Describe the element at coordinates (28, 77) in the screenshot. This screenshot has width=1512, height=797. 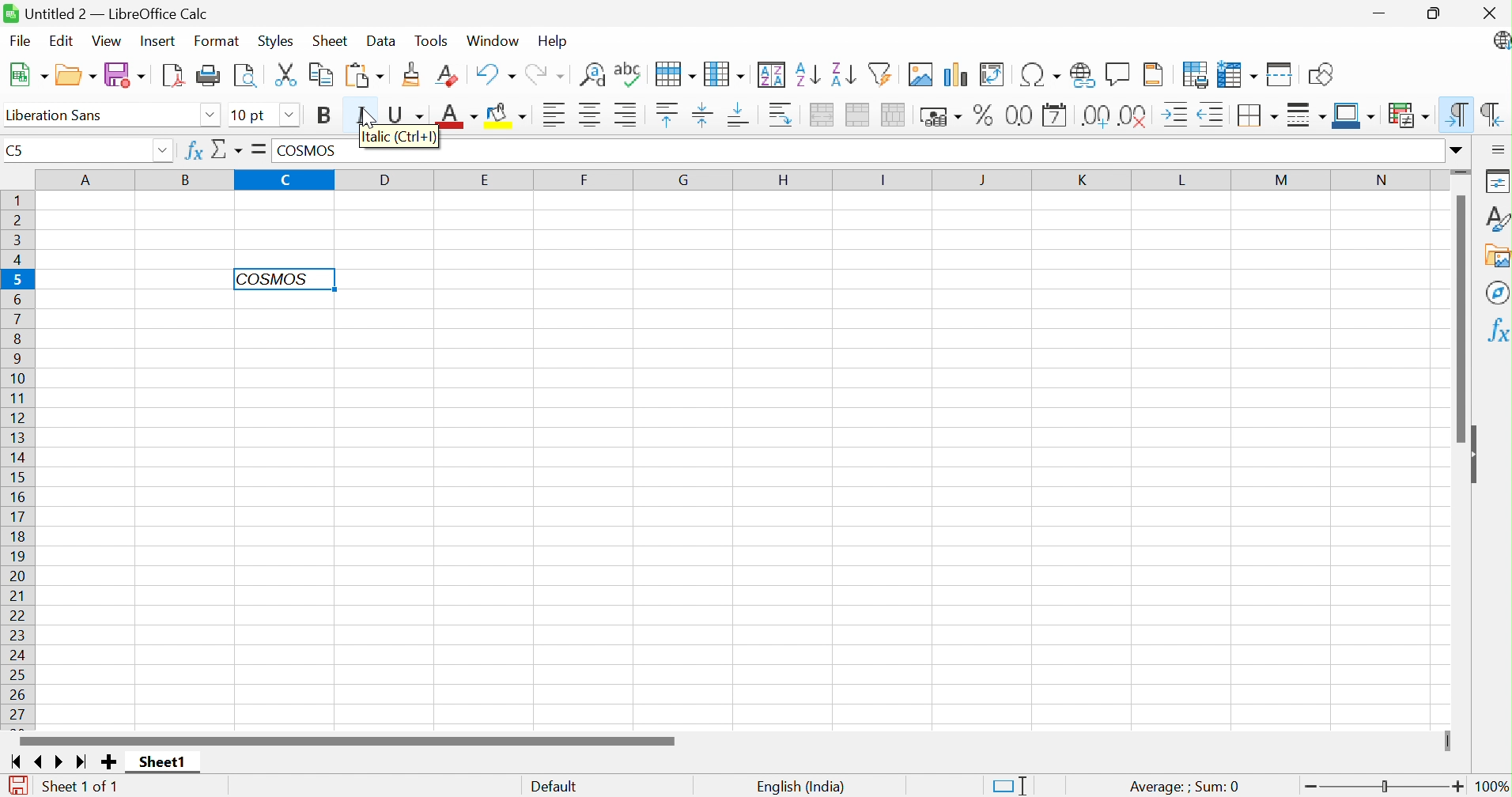
I see `New` at that location.